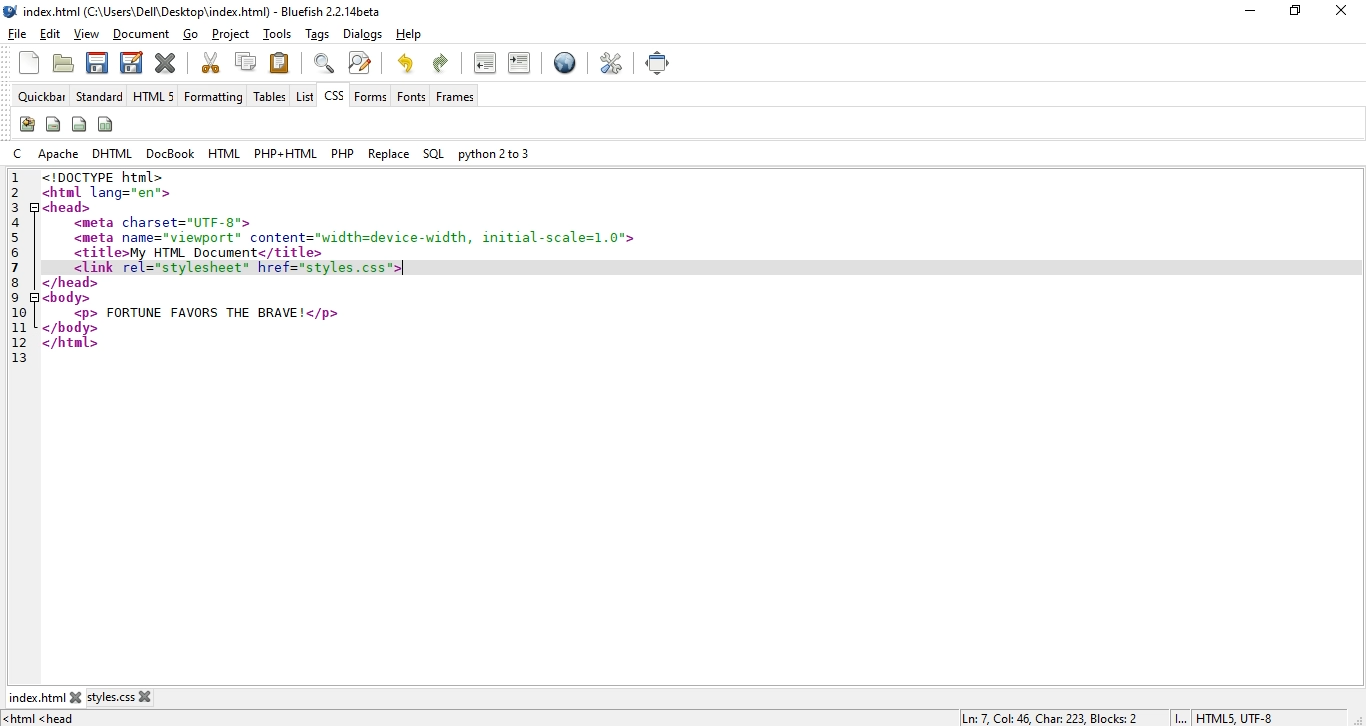  What do you see at coordinates (225, 153) in the screenshot?
I see `html` at bounding box center [225, 153].